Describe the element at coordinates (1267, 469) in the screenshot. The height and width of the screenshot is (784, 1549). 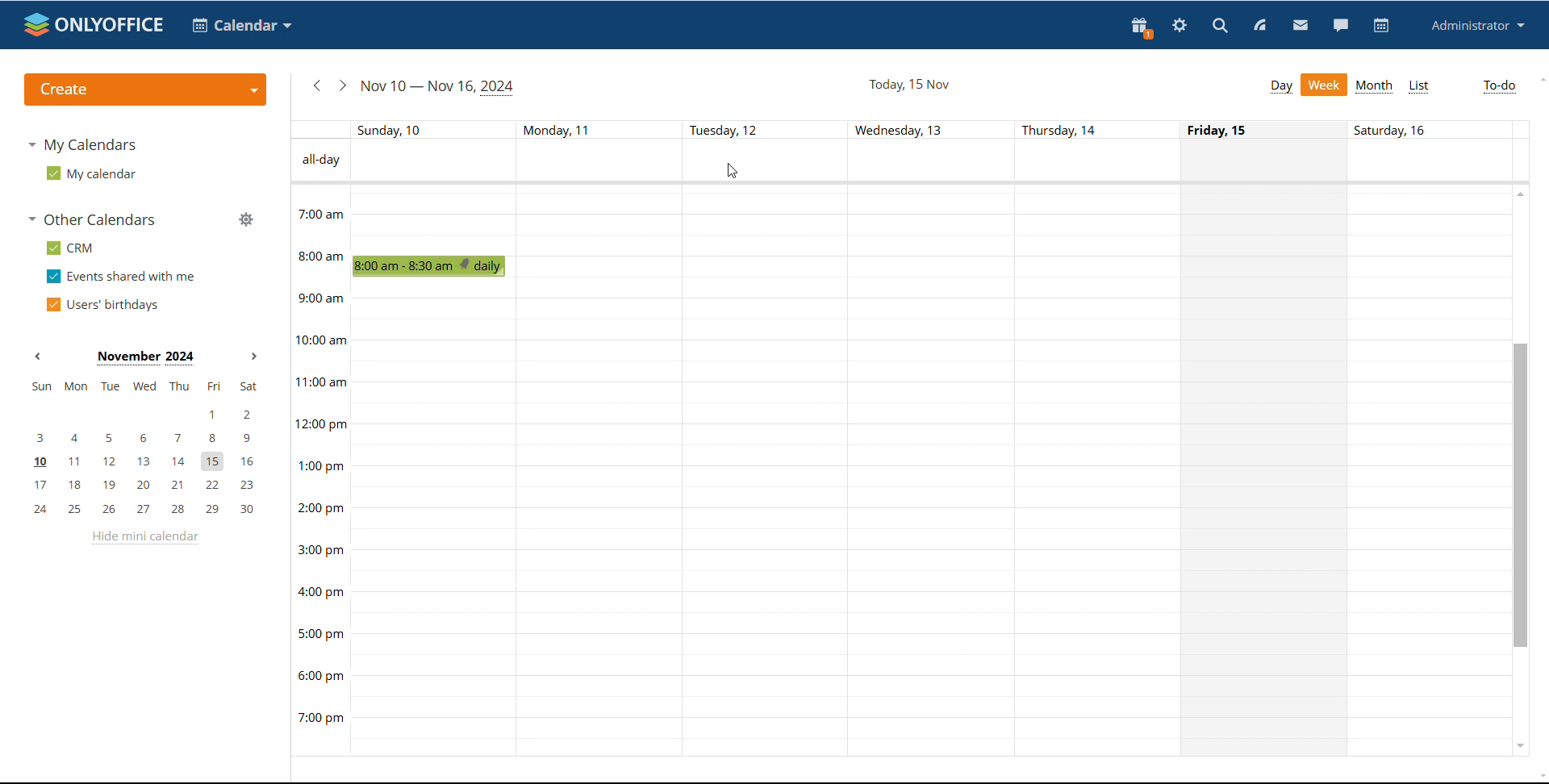
I see `schedule for individual day` at that location.